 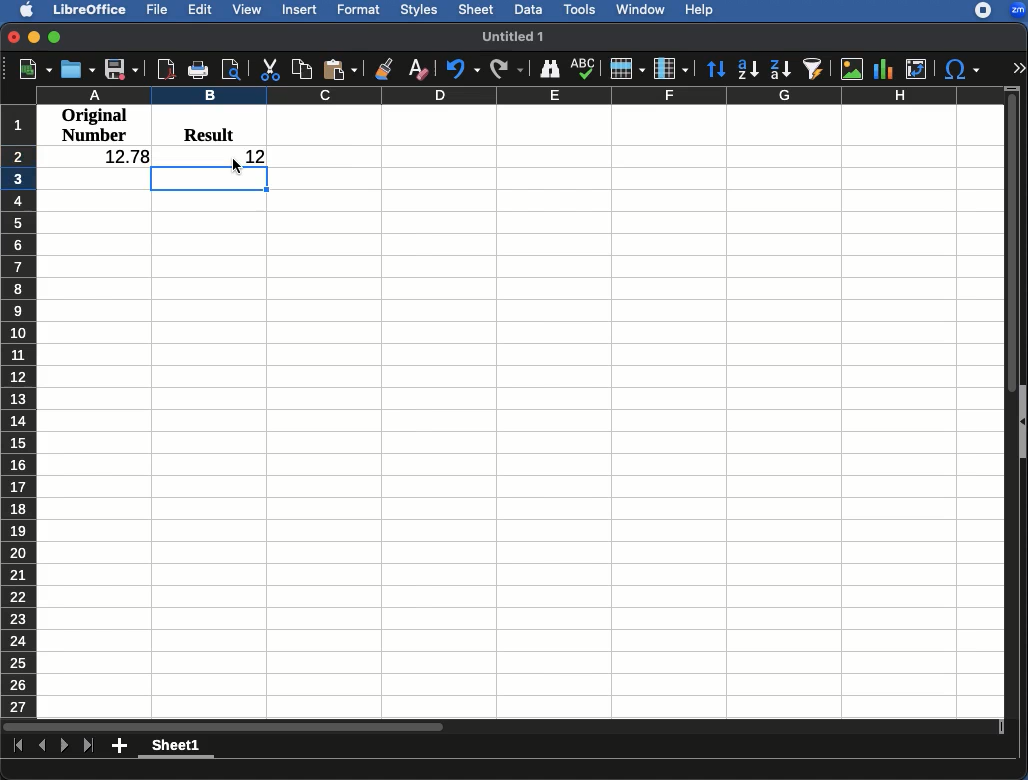 I want to click on Clone formatting, so click(x=382, y=69).